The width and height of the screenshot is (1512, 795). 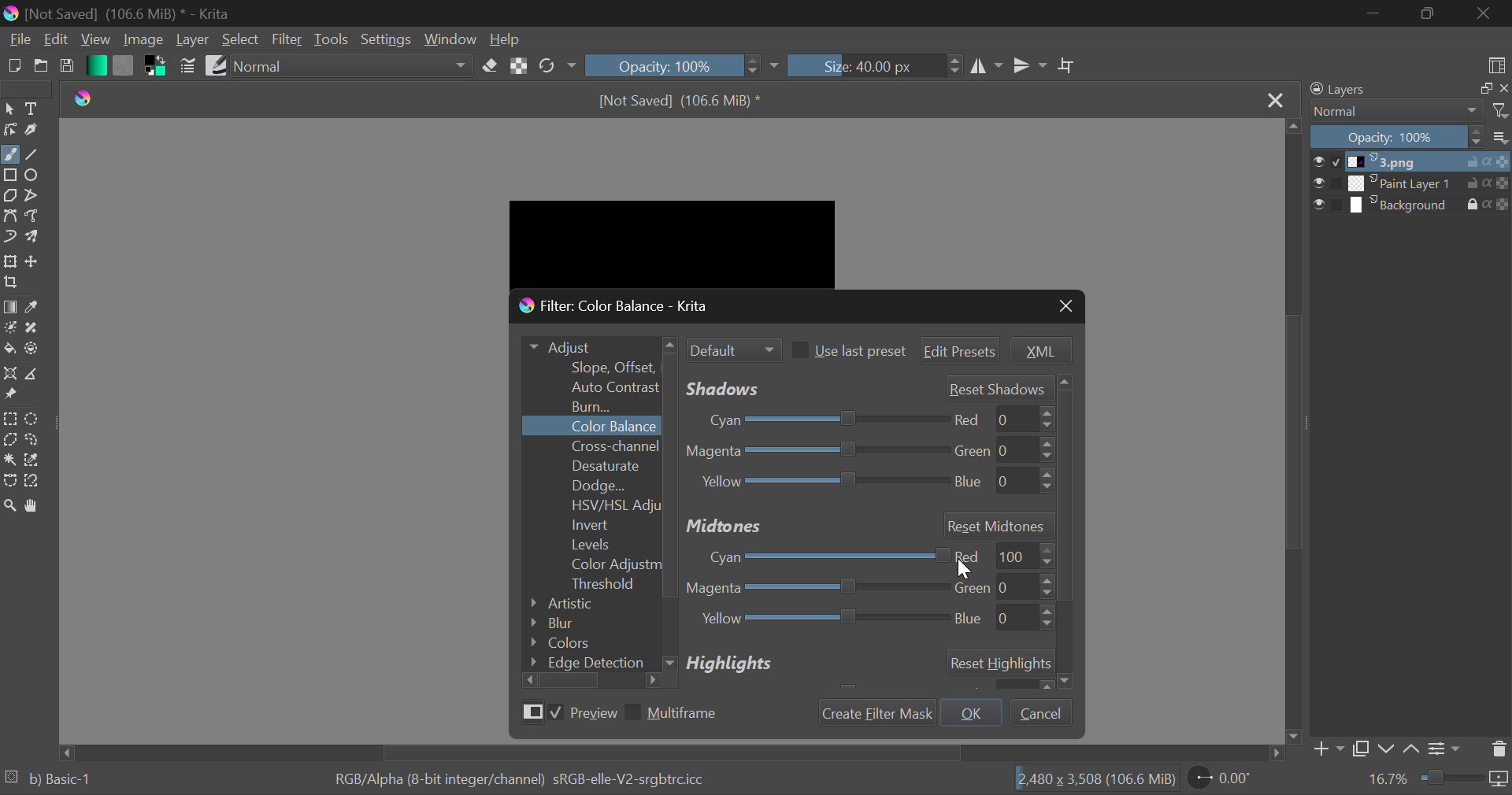 I want to click on Midtones Section Header, so click(x=868, y=527).